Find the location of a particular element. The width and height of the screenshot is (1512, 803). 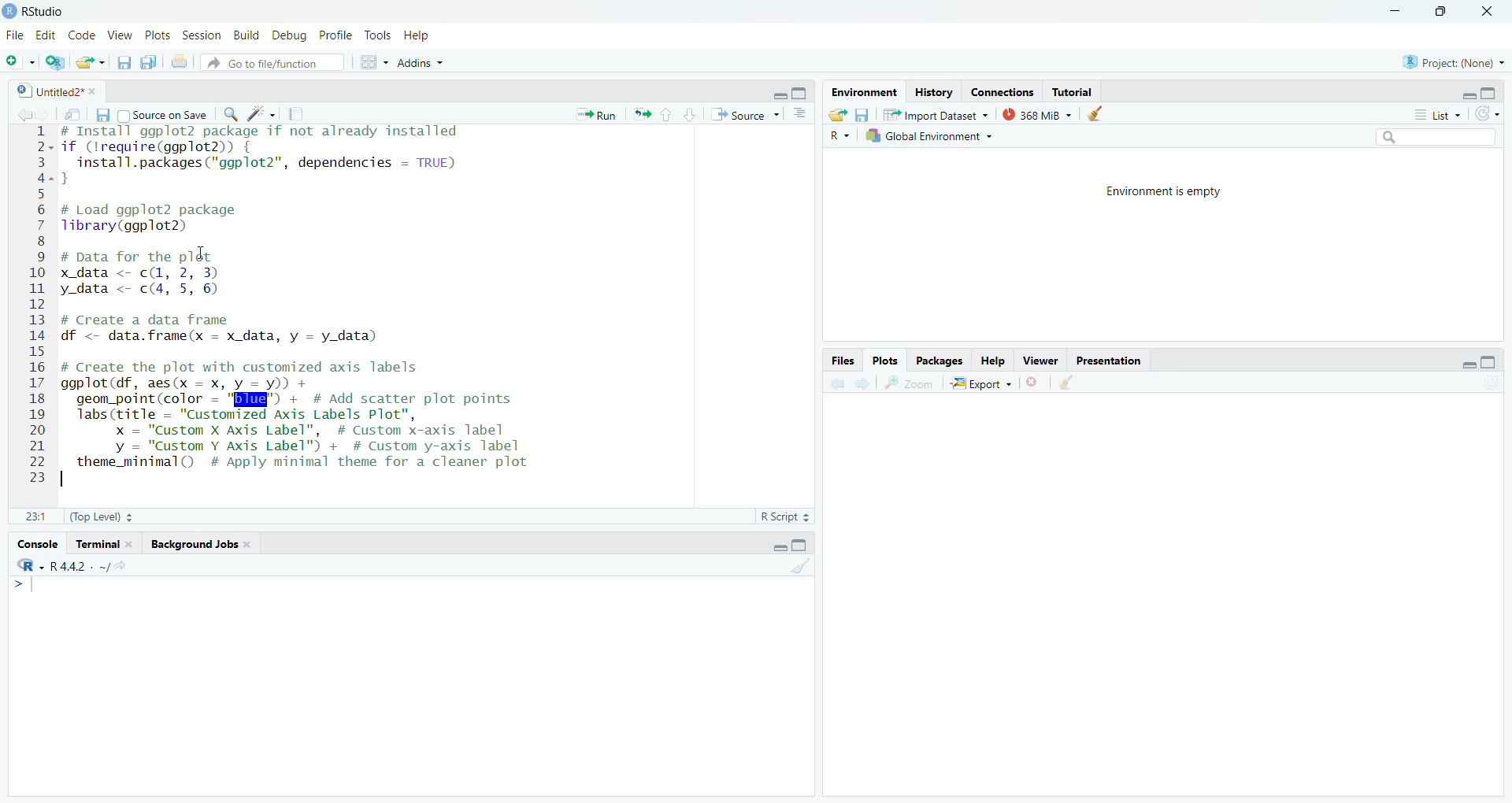

Viewer is located at coordinates (1038, 361).